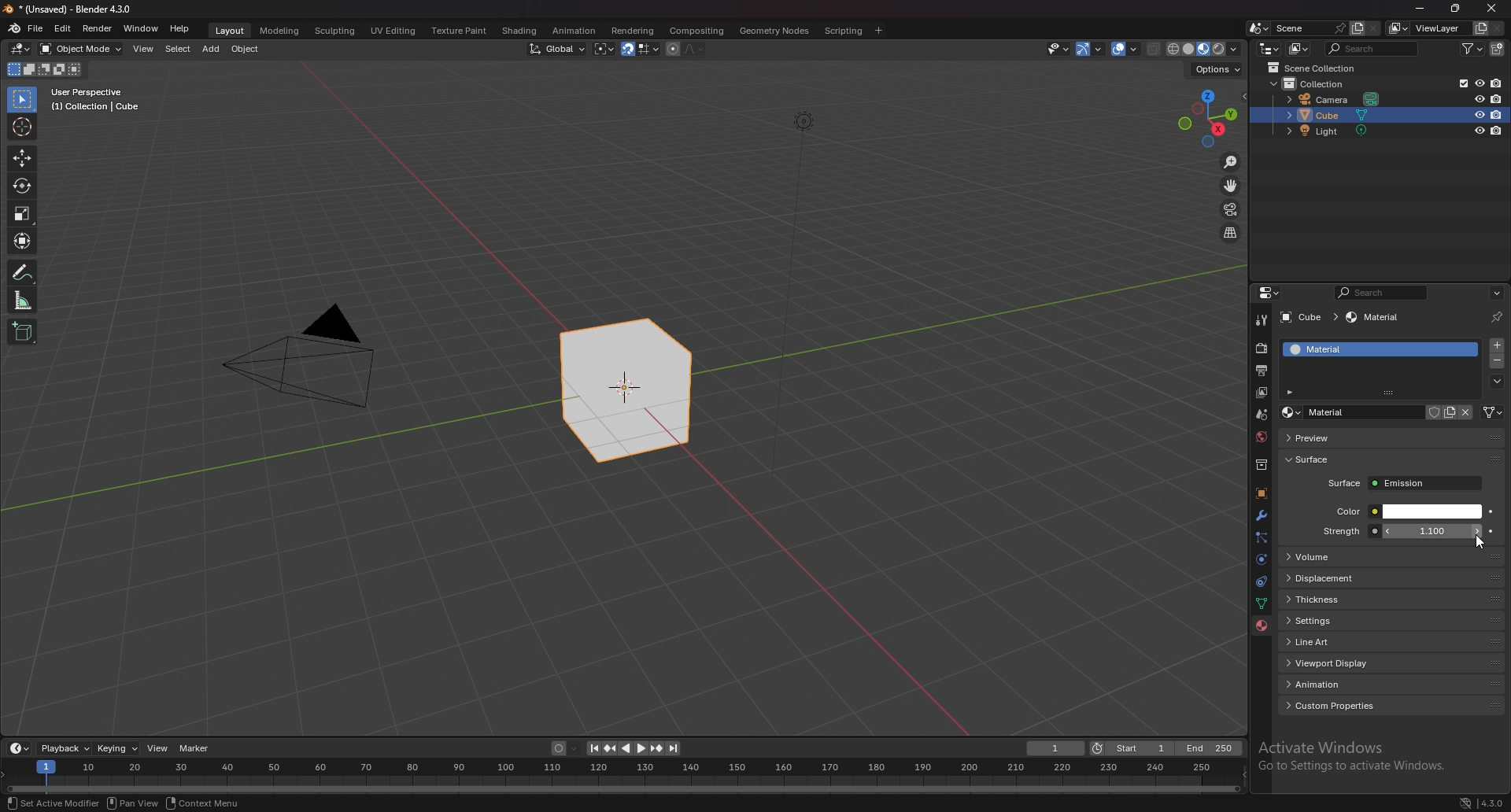 This screenshot has height=812, width=1511. Describe the element at coordinates (1291, 412) in the screenshot. I see `browse material` at that location.